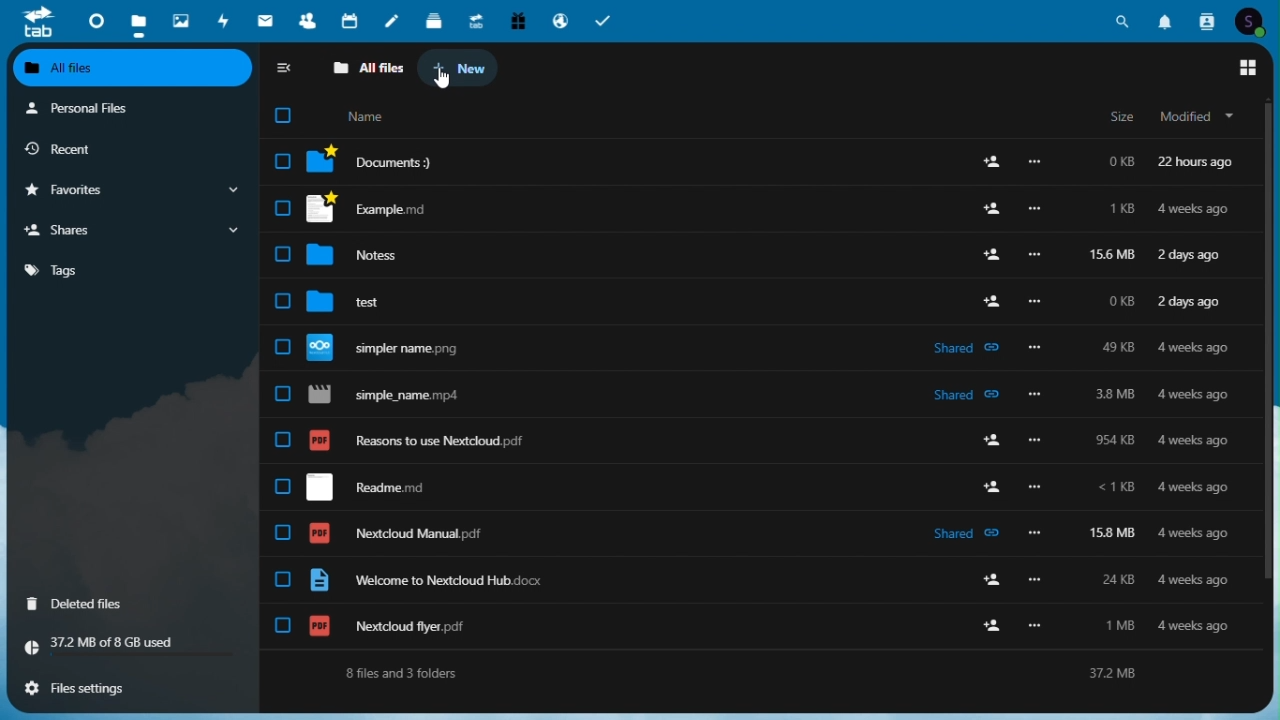 The height and width of the screenshot is (720, 1280). I want to click on 158 mb, so click(1113, 533).